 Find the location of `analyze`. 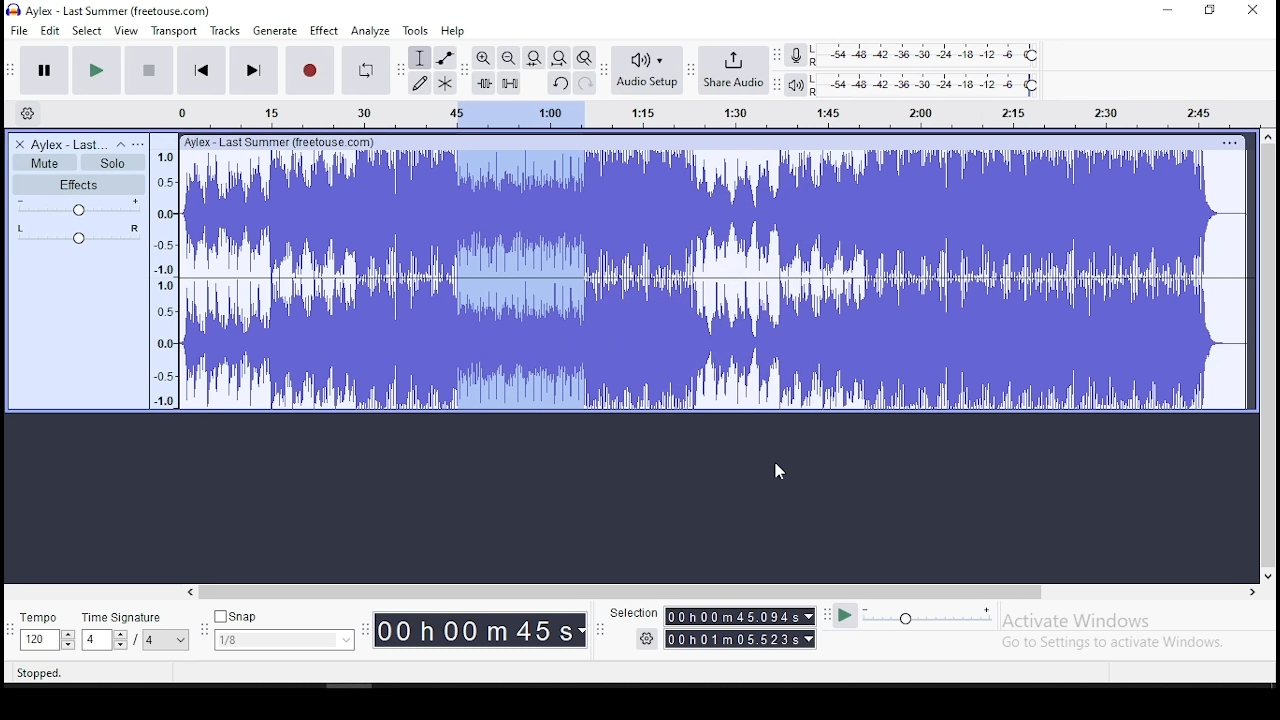

analyze is located at coordinates (372, 31).